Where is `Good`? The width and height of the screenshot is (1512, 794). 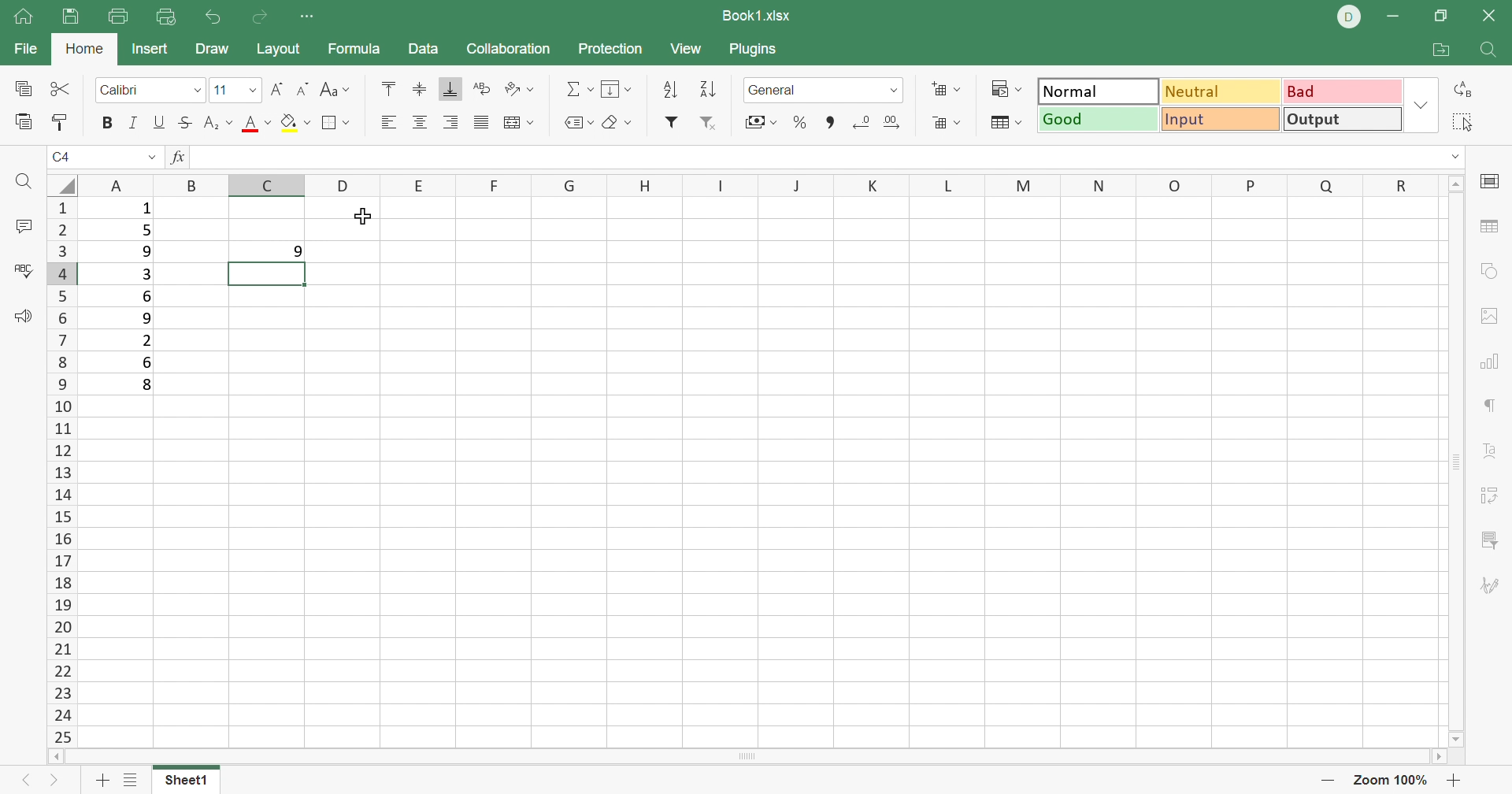 Good is located at coordinates (1097, 119).